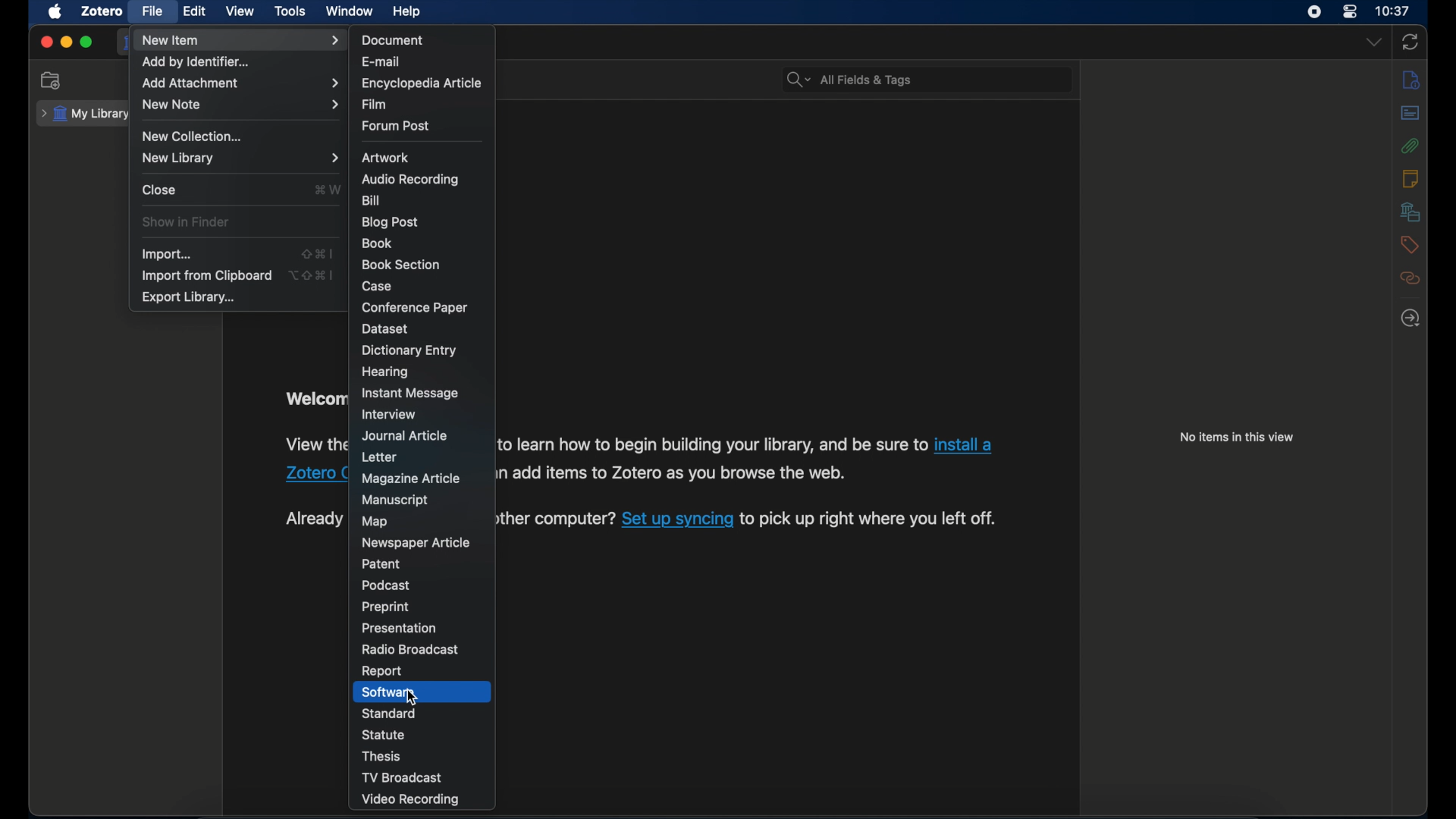 Image resolution: width=1456 pixels, height=819 pixels. Describe the element at coordinates (677, 473) in the screenshot. I see `software information` at that location.